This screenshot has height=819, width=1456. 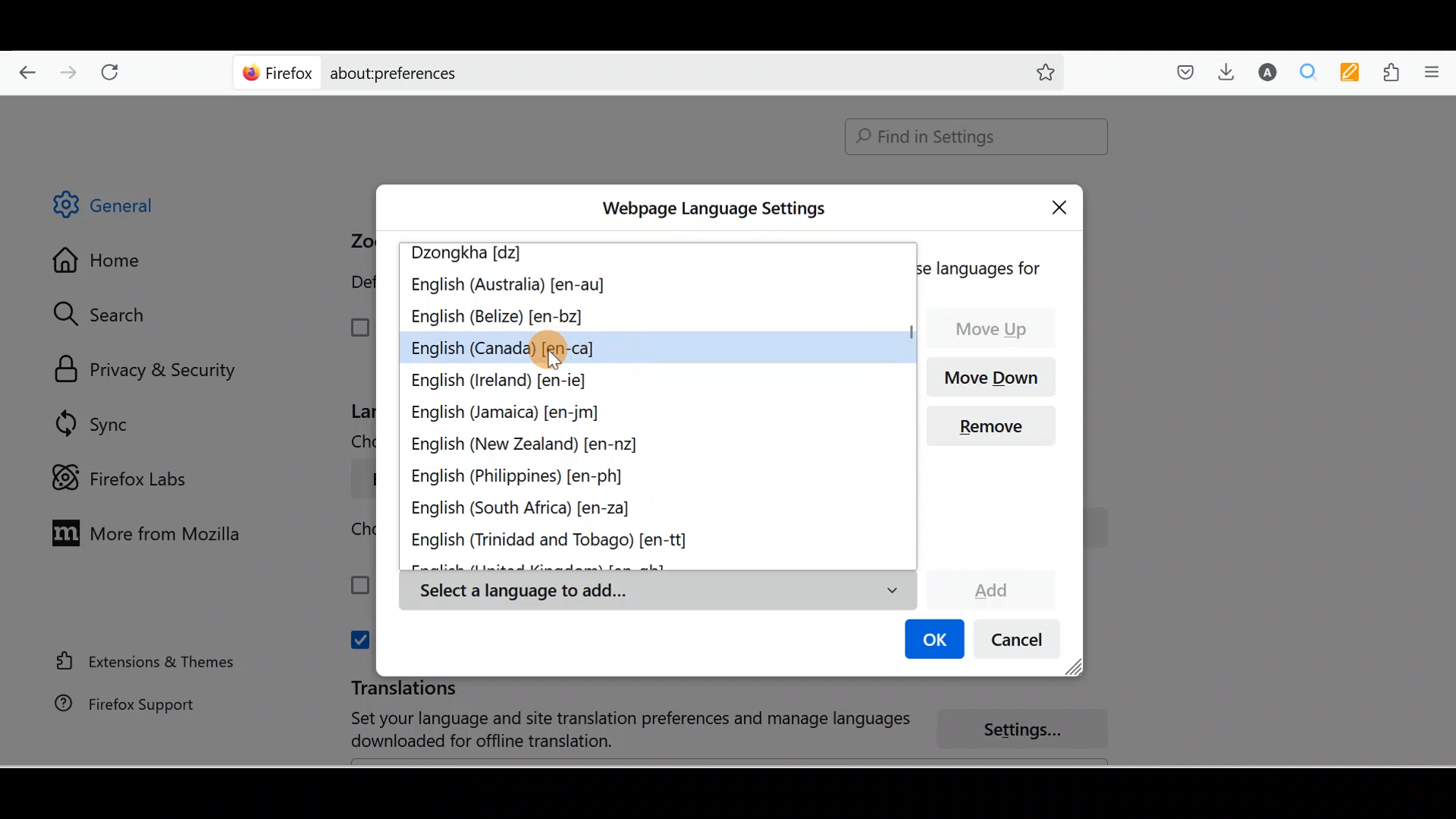 I want to click on English (Jamaica) [en-jm], so click(x=508, y=413).